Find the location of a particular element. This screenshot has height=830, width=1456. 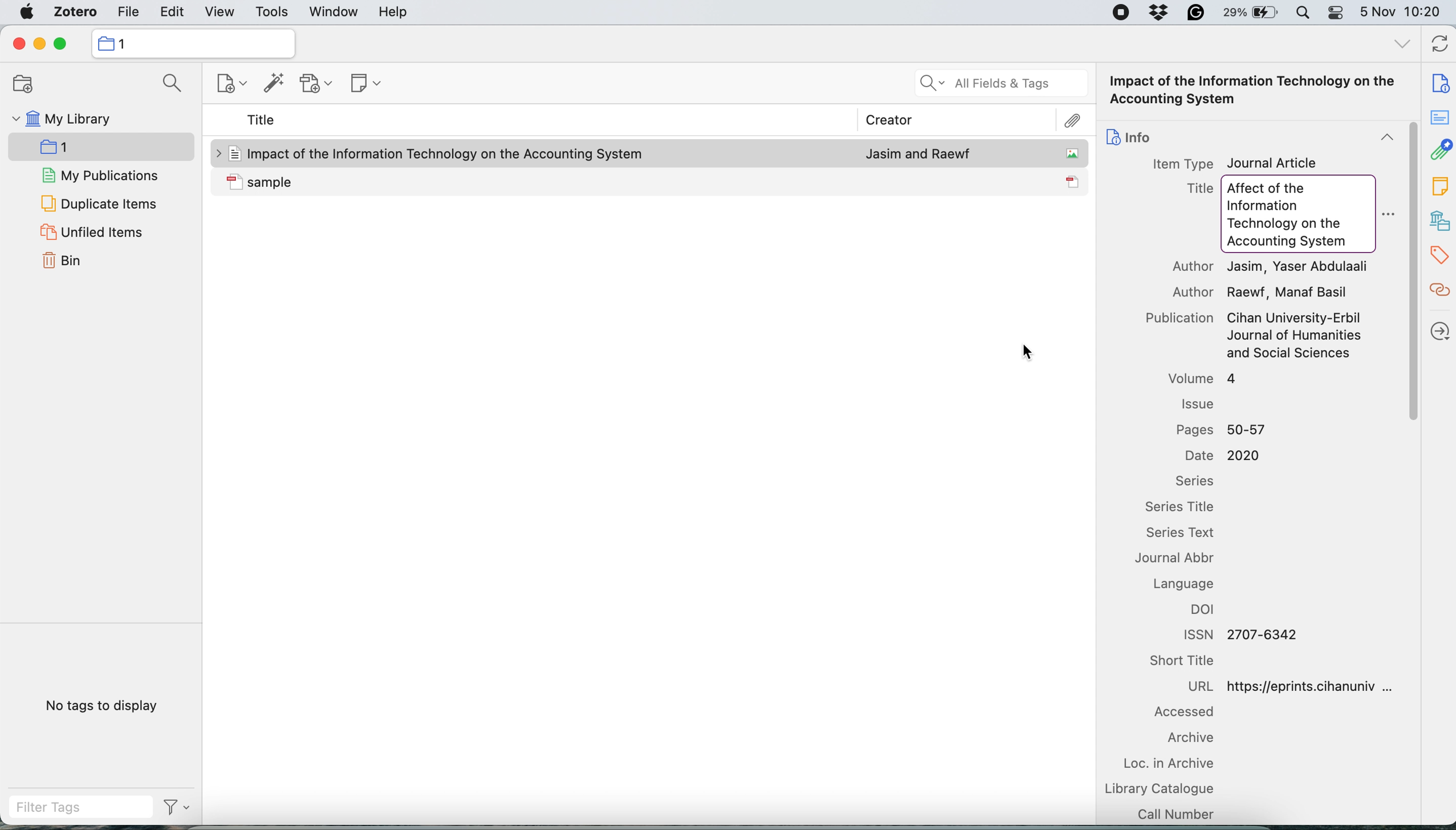

new note is located at coordinates (364, 84).